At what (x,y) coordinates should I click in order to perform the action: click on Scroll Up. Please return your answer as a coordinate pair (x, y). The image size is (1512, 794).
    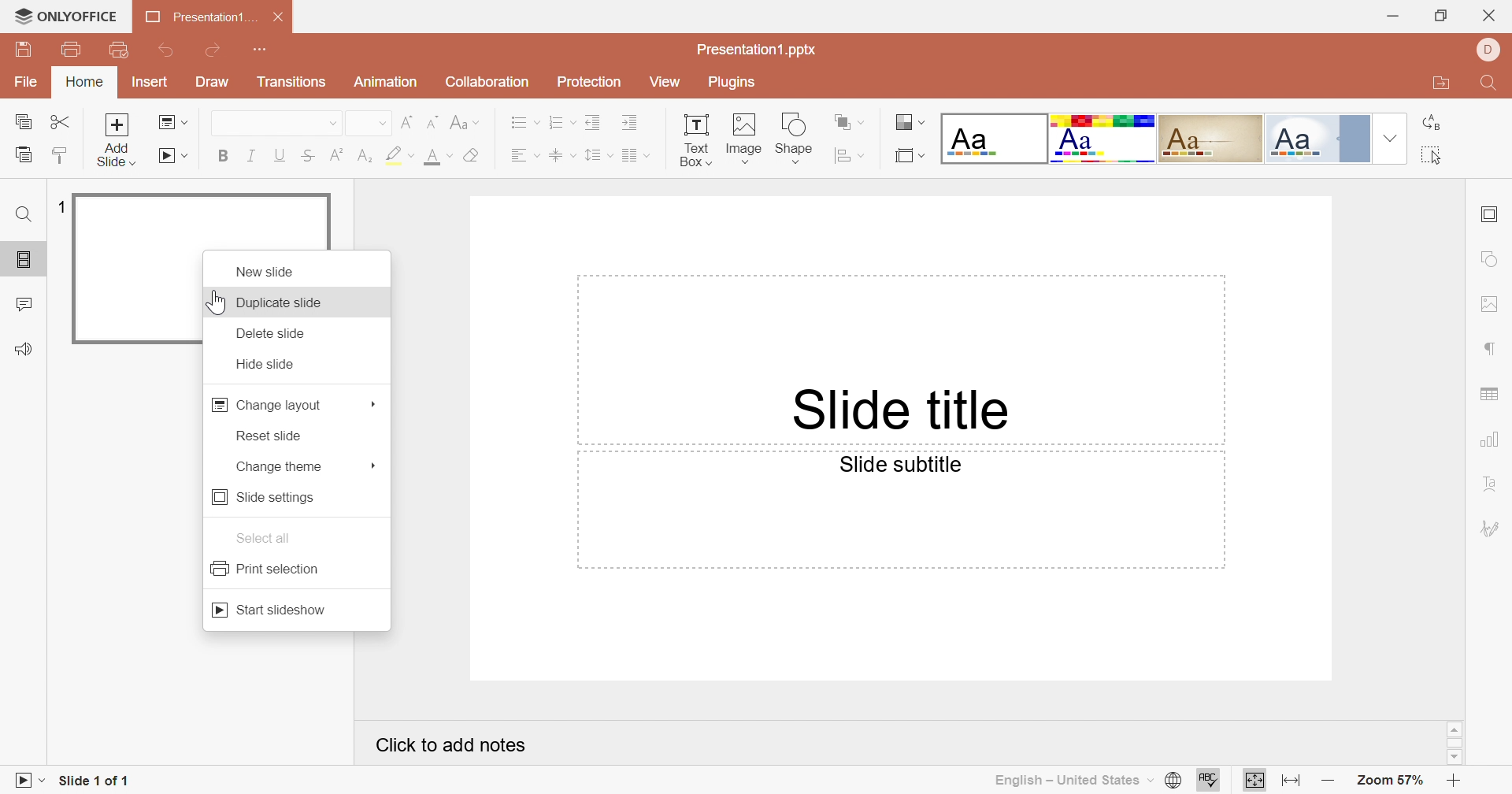
    Looking at the image, I should click on (1449, 728).